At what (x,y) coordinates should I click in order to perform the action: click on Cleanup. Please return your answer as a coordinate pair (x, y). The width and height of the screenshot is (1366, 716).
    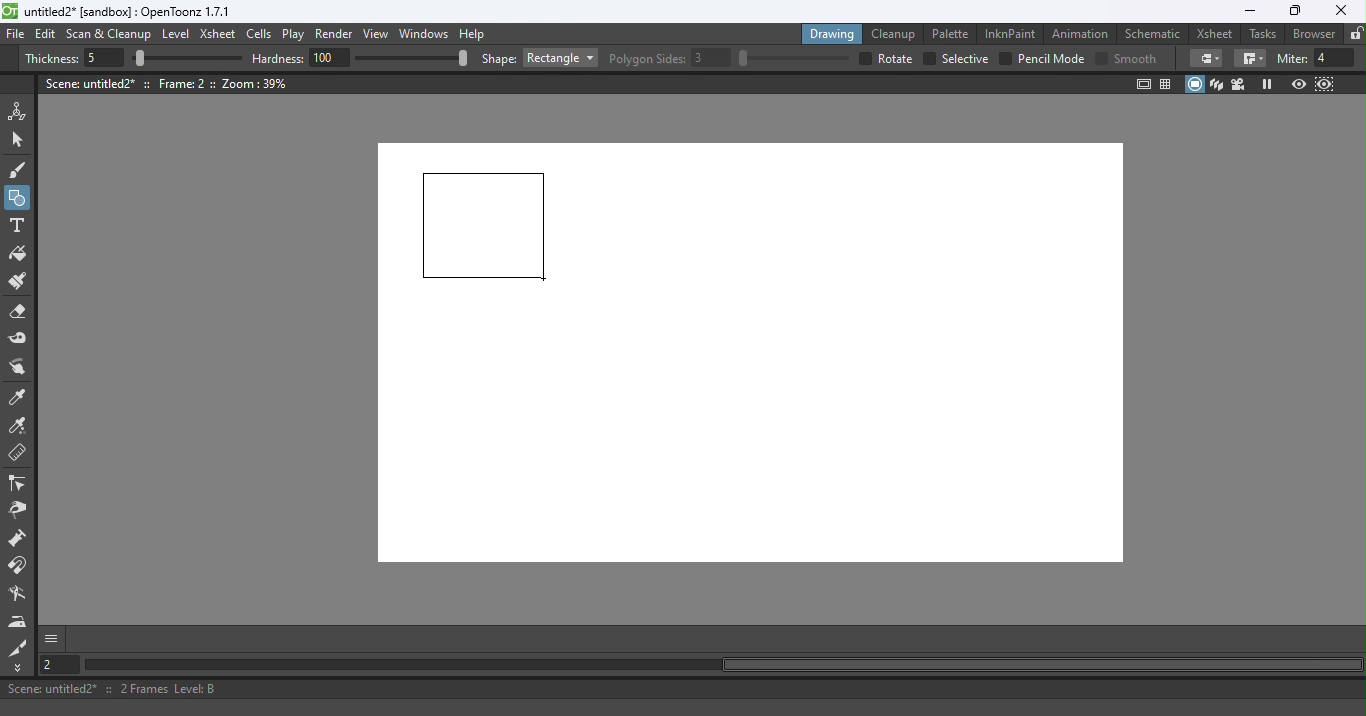
    Looking at the image, I should click on (897, 33).